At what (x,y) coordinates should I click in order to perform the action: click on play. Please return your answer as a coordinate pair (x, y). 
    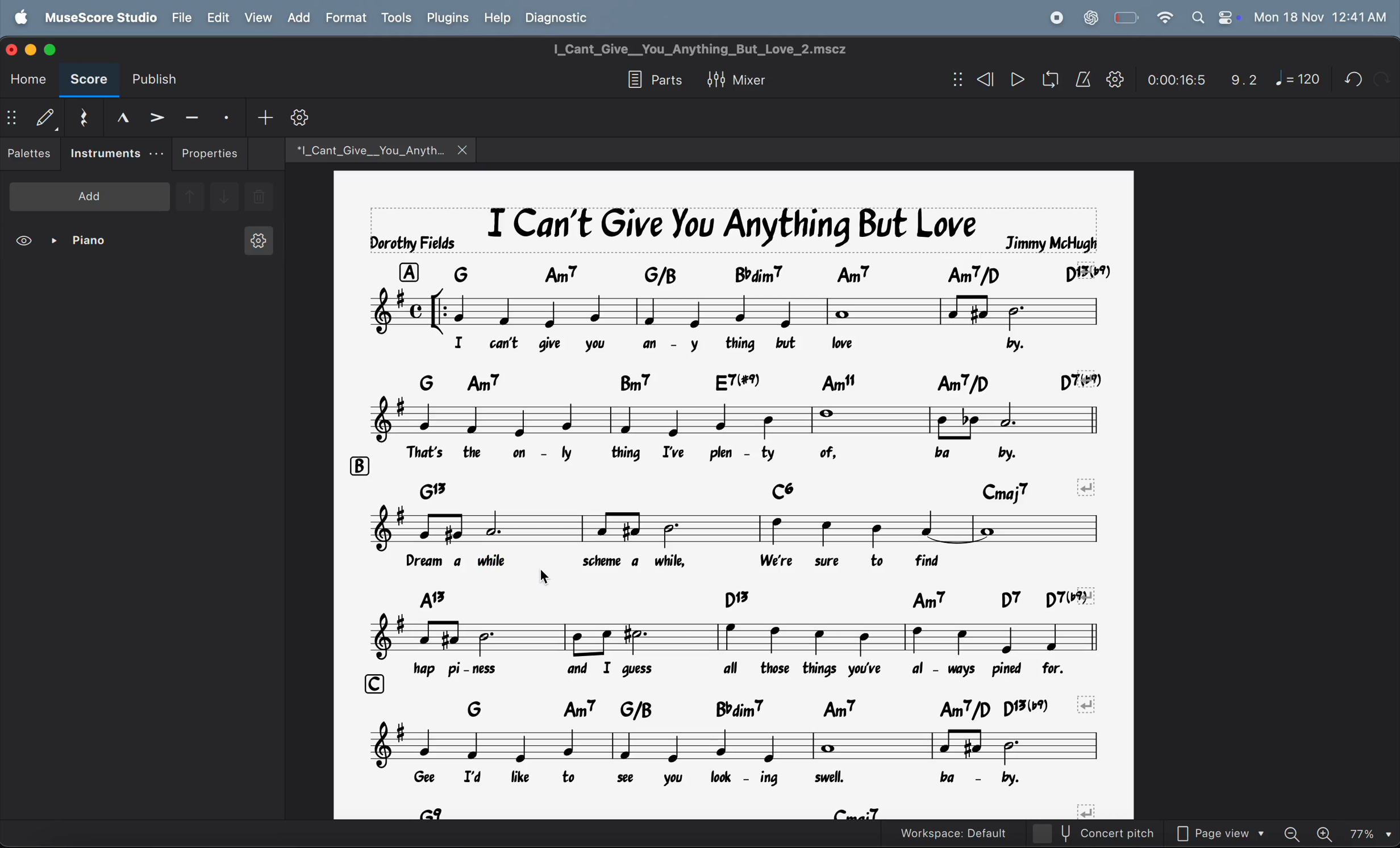
    Looking at the image, I should click on (1017, 80).